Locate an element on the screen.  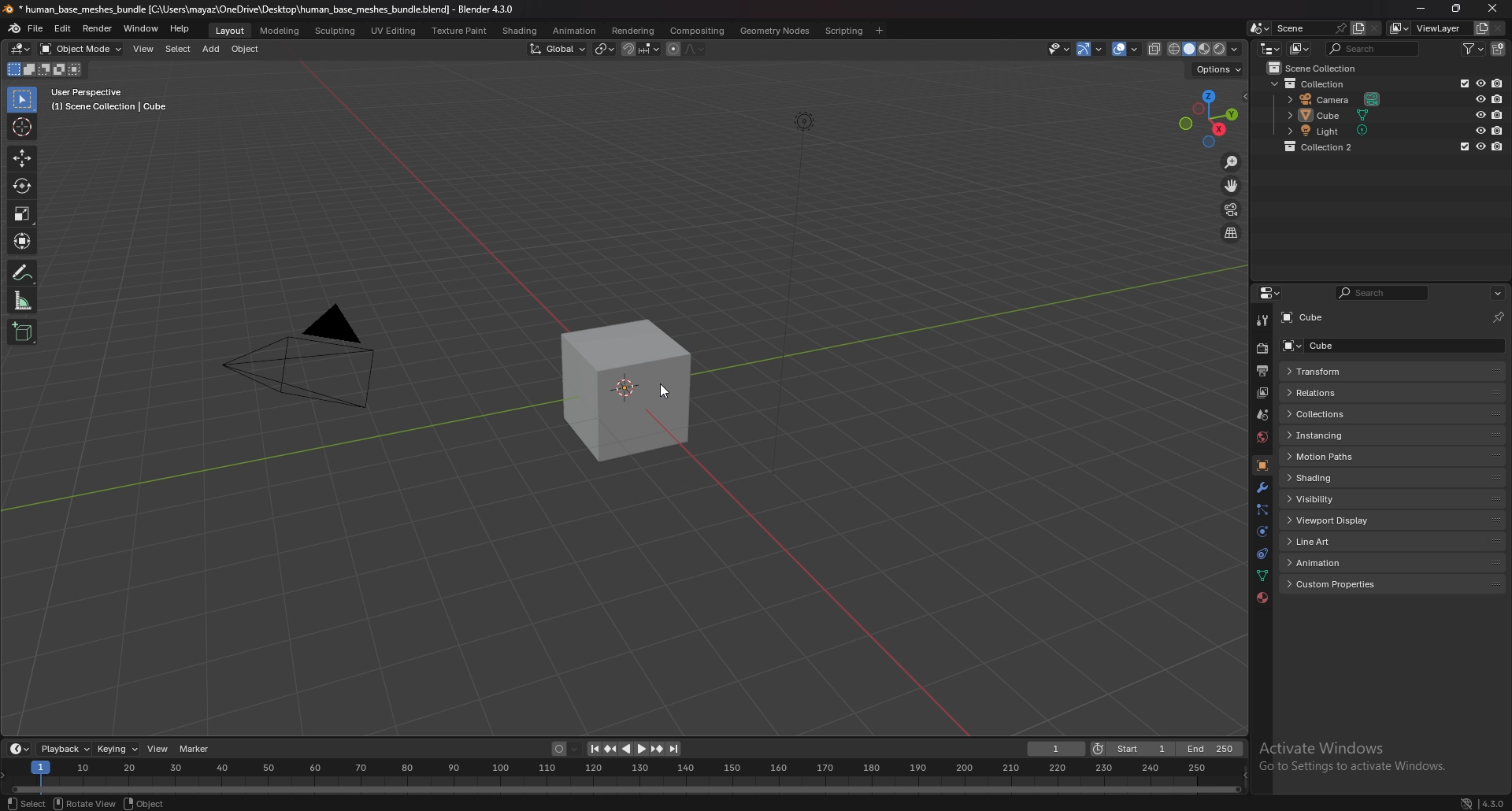
proportional editing objects is located at coordinates (687, 50).